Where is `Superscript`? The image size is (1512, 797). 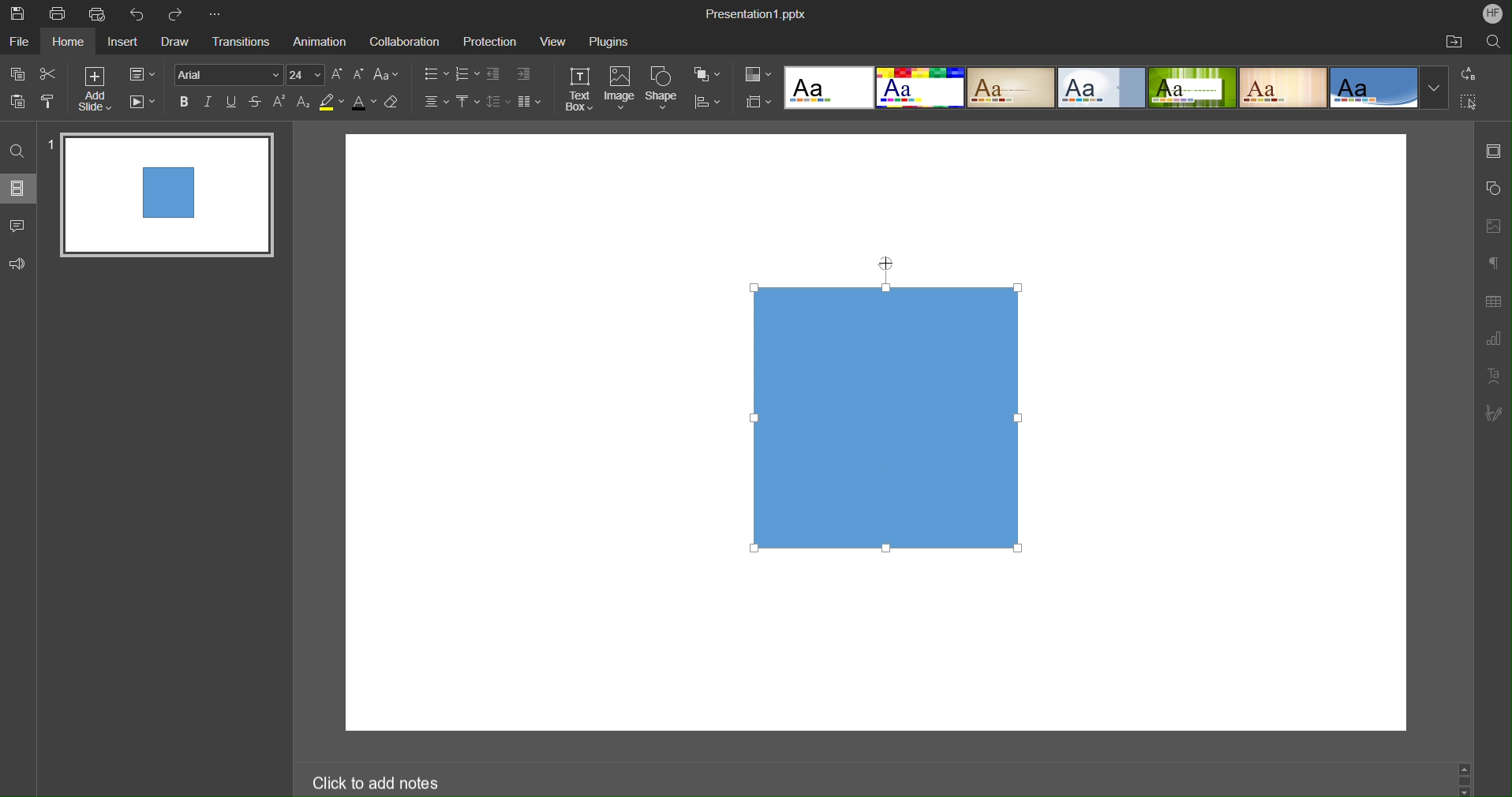
Superscript is located at coordinates (279, 103).